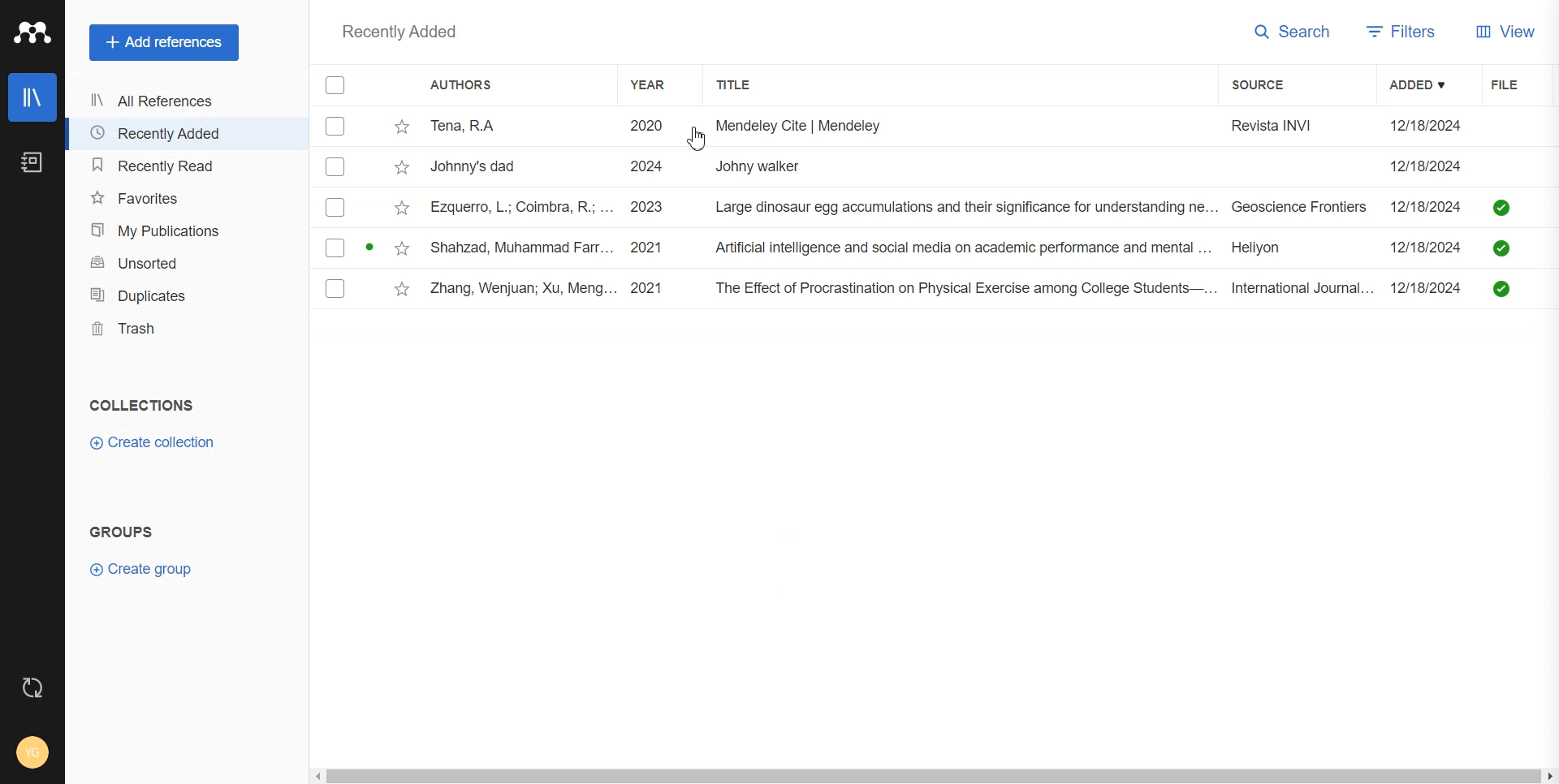 The width and height of the screenshot is (1559, 784). What do you see at coordinates (32, 33) in the screenshot?
I see `Logo` at bounding box center [32, 33].